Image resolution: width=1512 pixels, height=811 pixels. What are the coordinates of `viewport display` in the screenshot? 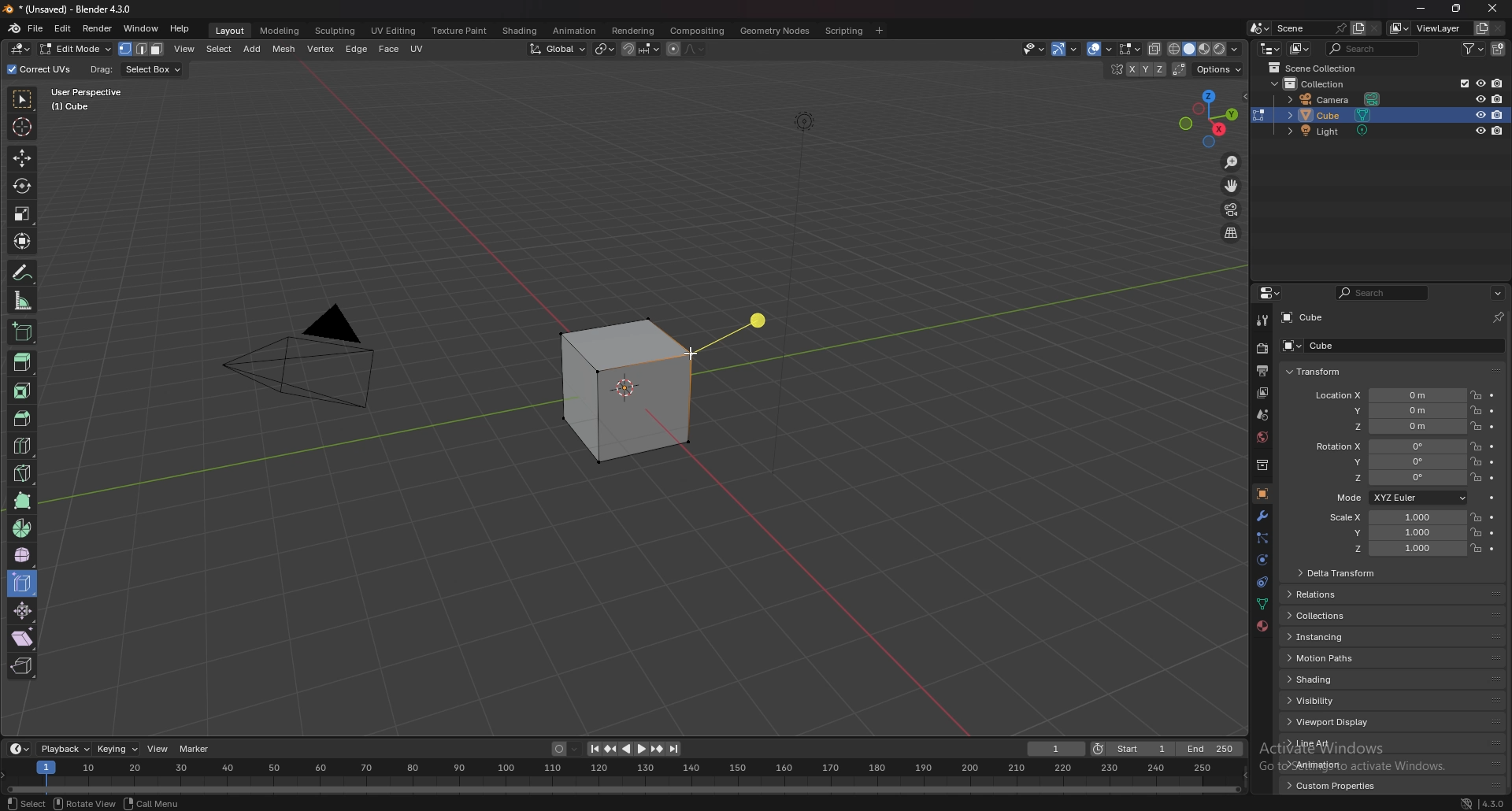 It's located at (1336, 722).